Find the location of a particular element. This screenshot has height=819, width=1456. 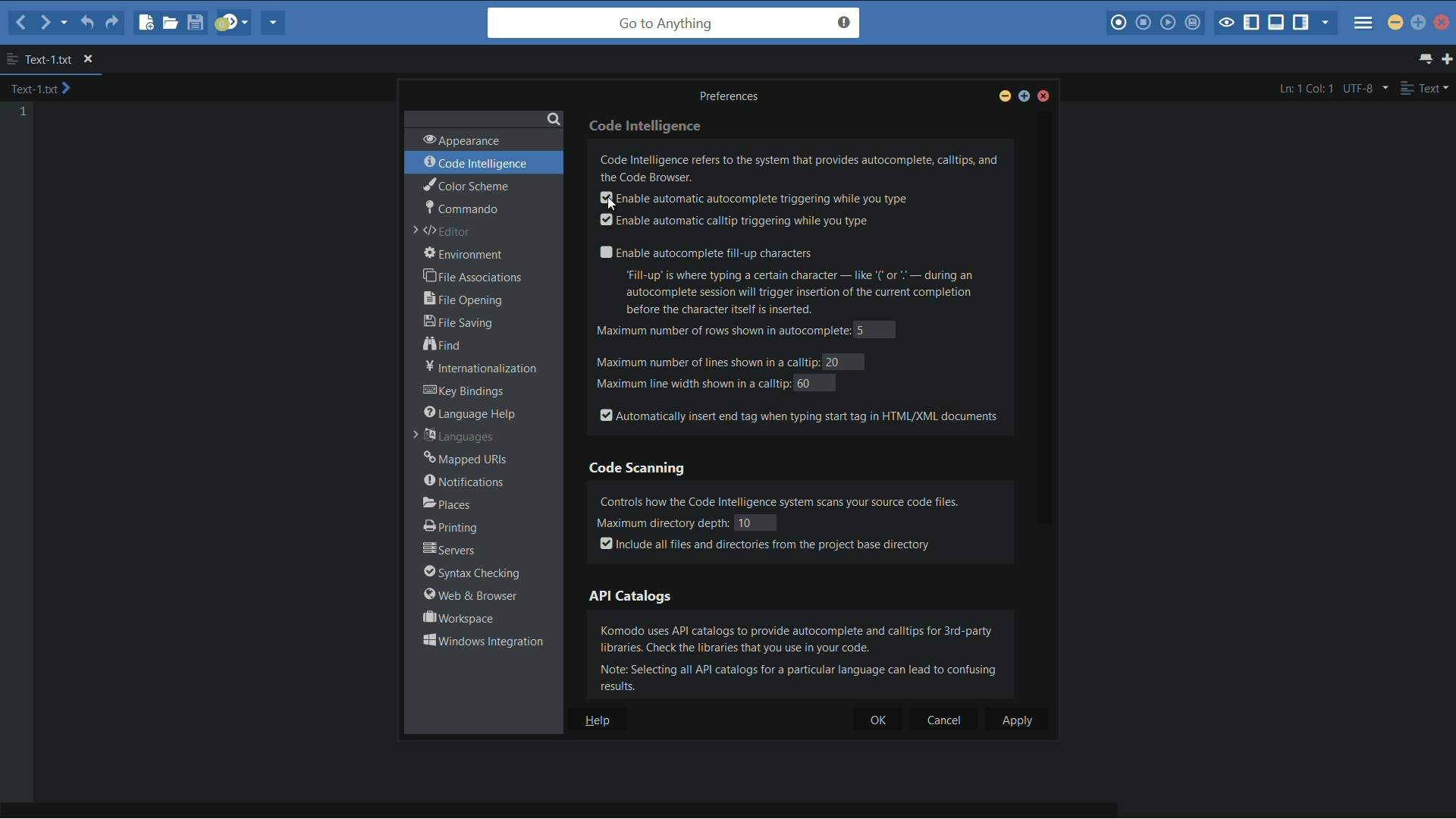

back is located at coordinates (21, 22).